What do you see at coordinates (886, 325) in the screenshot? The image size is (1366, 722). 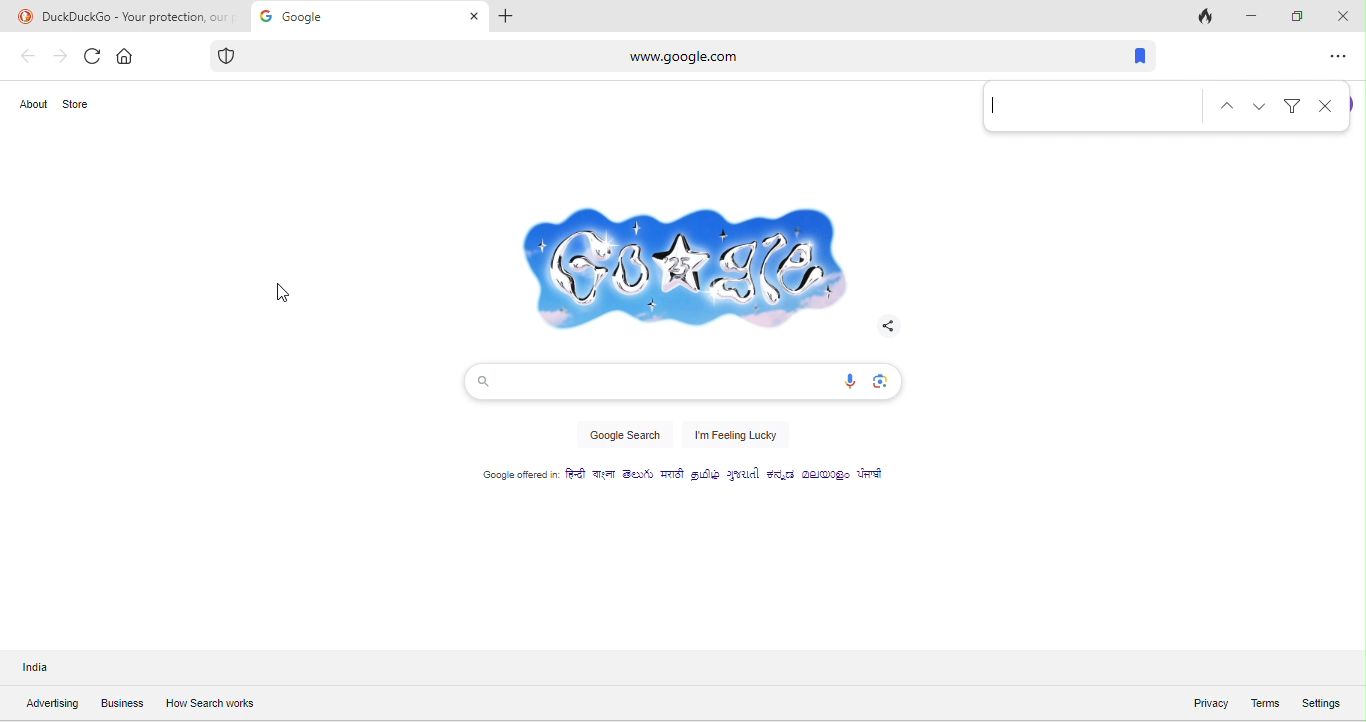 I see `Share` at bounding box center [886, 325].